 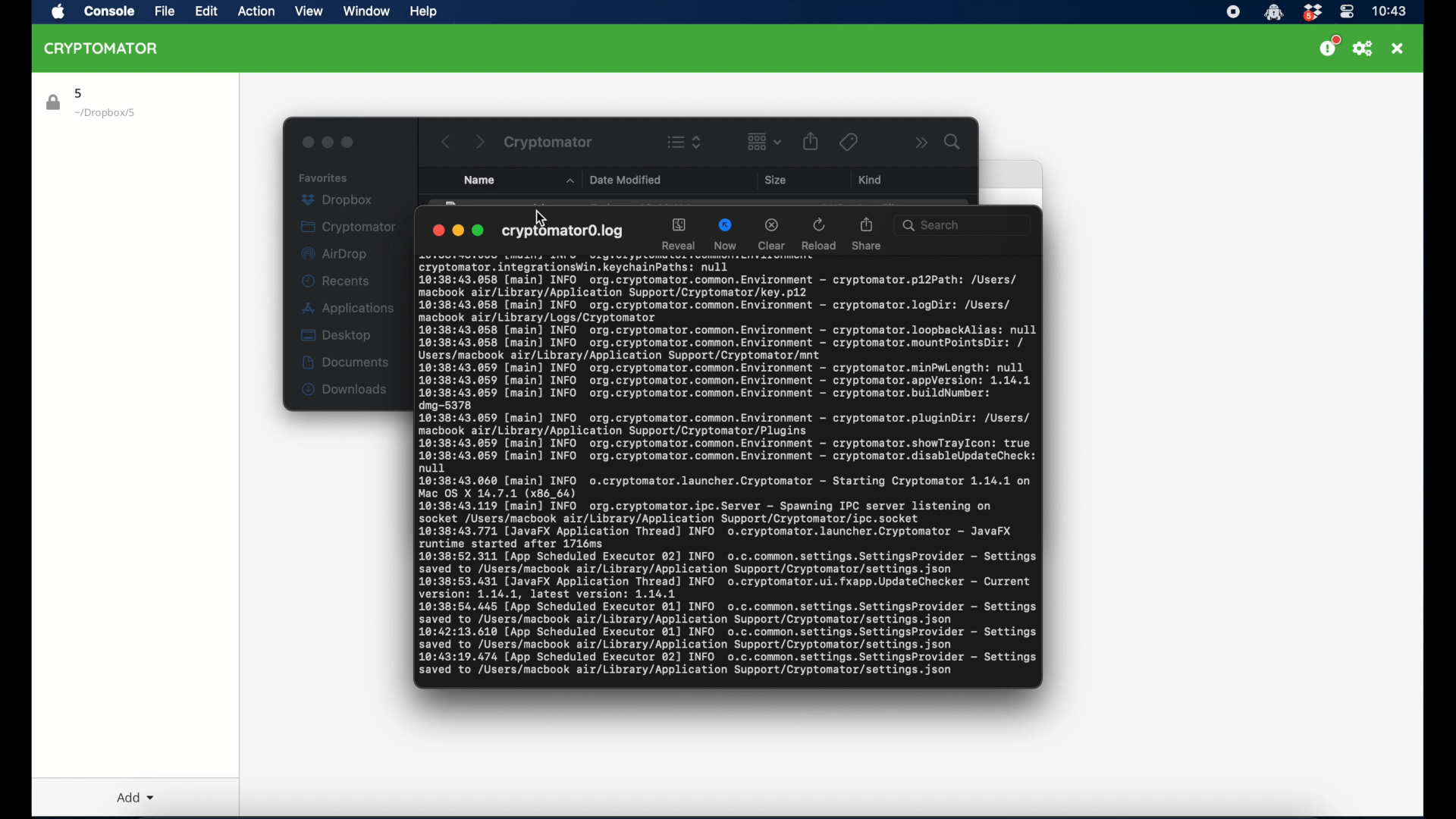 What do you see at coordinates (164, 11) in the screenshot?
I see `file` at bounding box center [164, 11].